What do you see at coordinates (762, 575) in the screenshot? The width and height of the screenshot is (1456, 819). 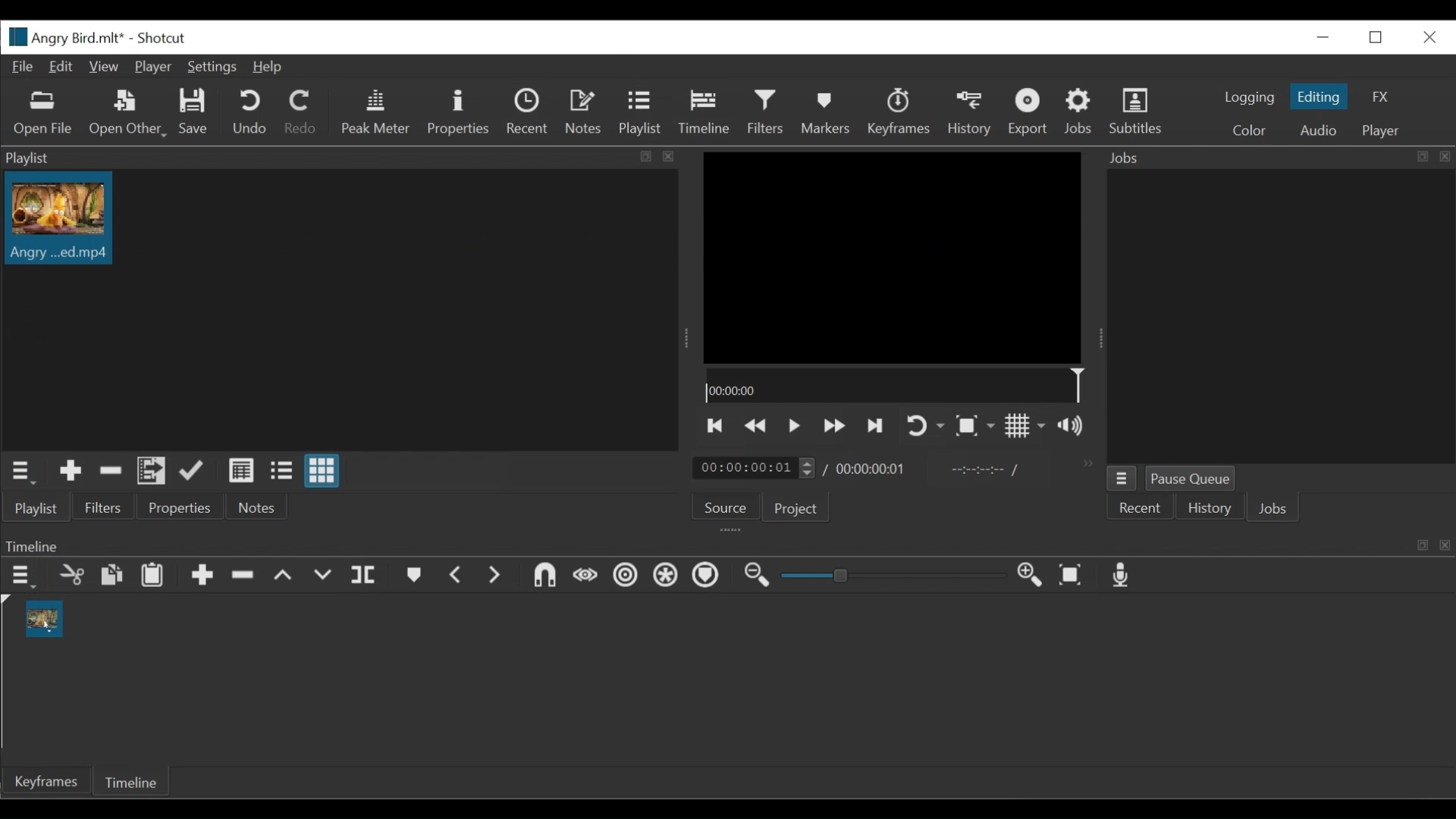 I see `Zoom timeline out ` at bounding box center [762, 575].